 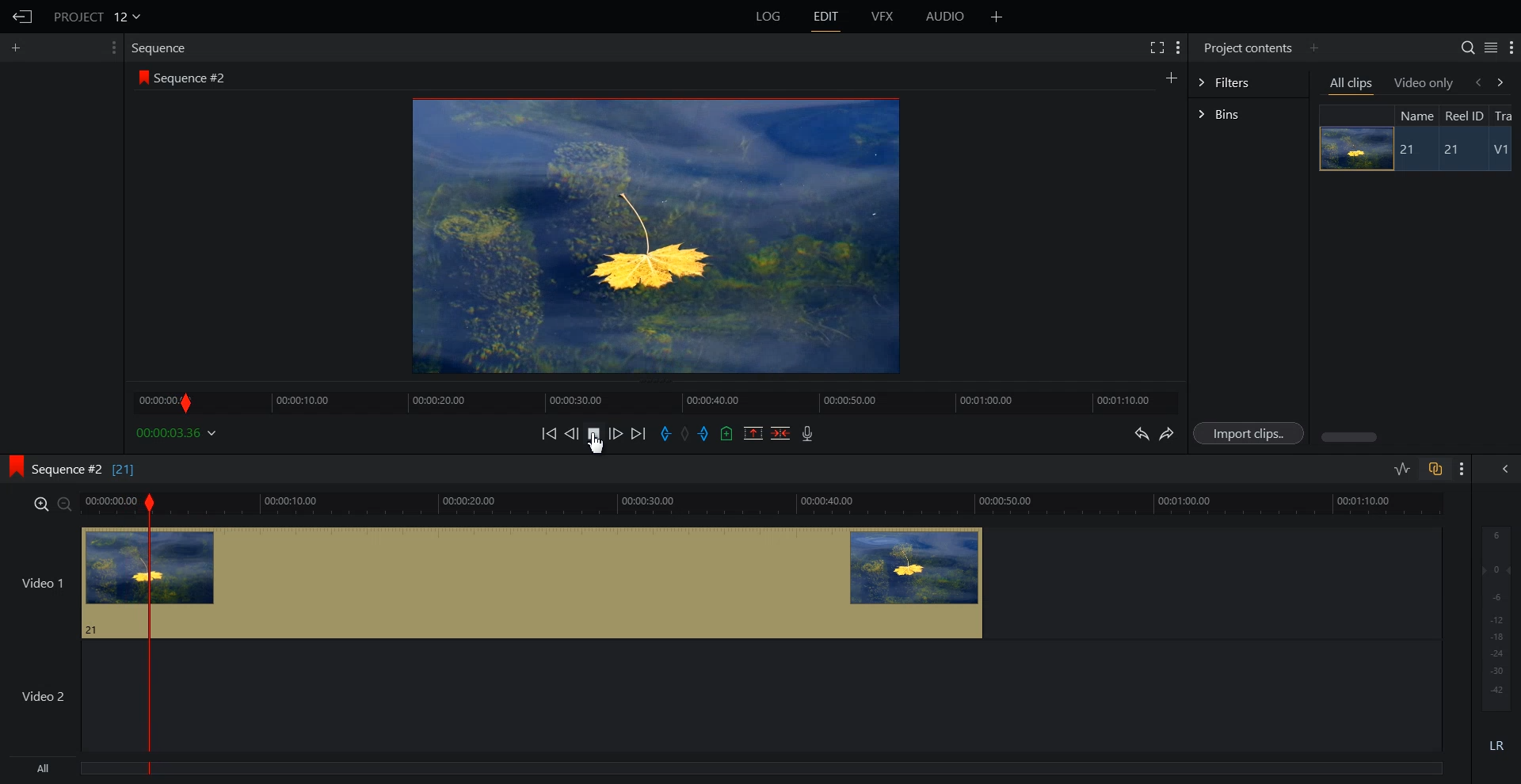 I want to click on Video only, so click(x=1424, y=82).